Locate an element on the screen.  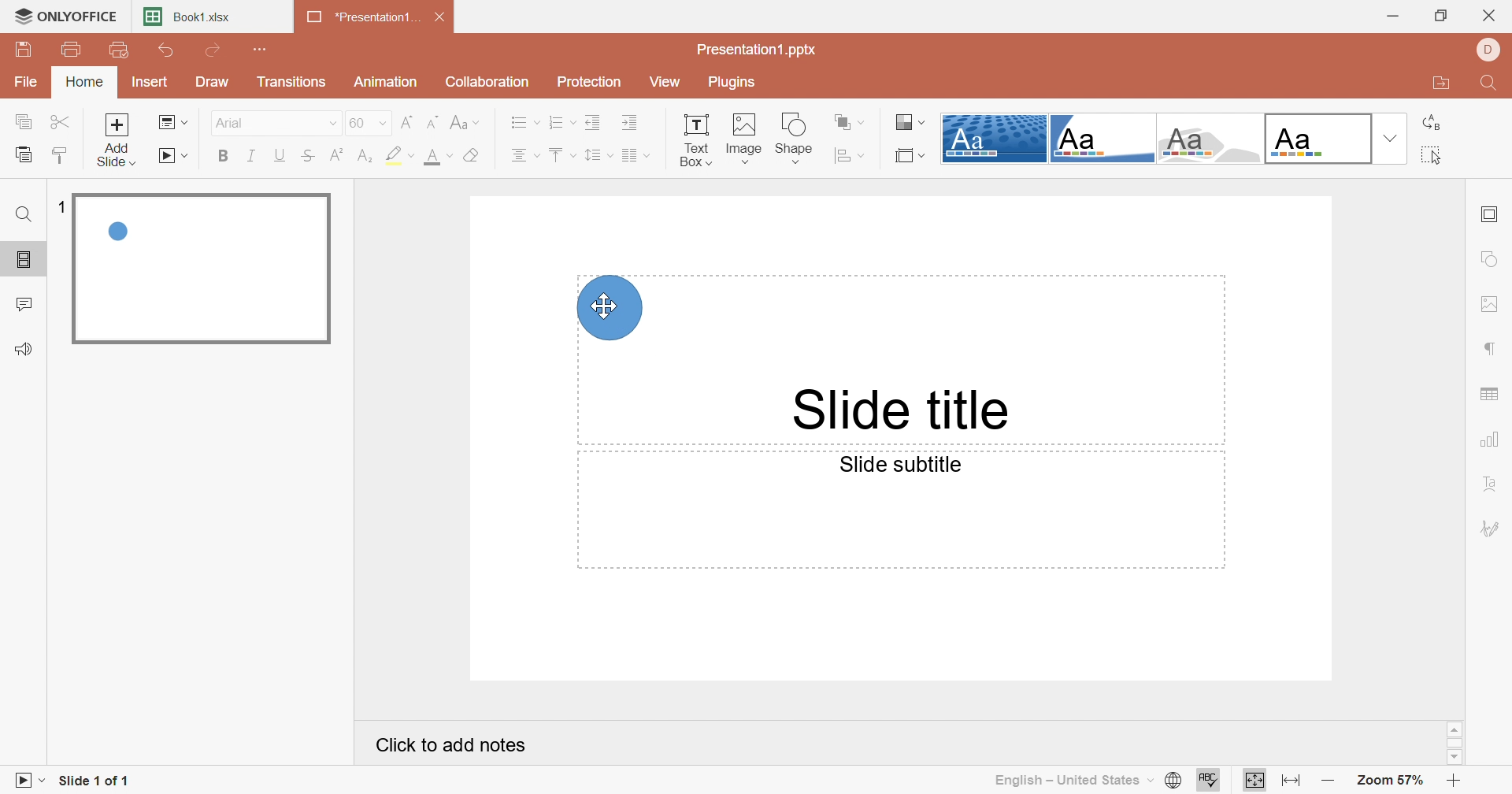
Subscript is located at coordinates (369, 155).